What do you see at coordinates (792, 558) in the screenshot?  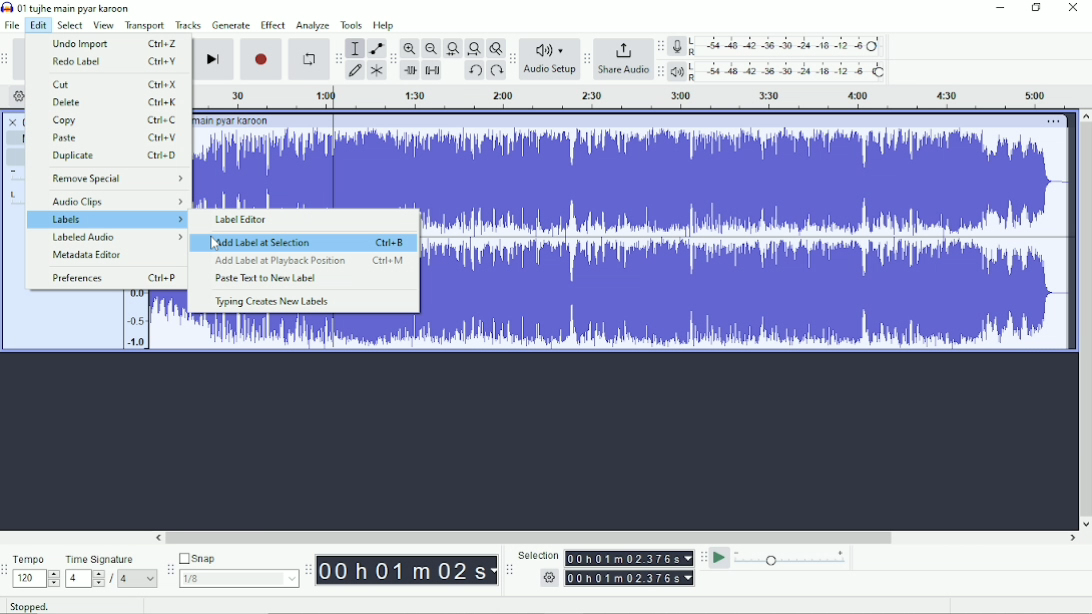 I see `Playback speed` at bounding box center [792, 558].